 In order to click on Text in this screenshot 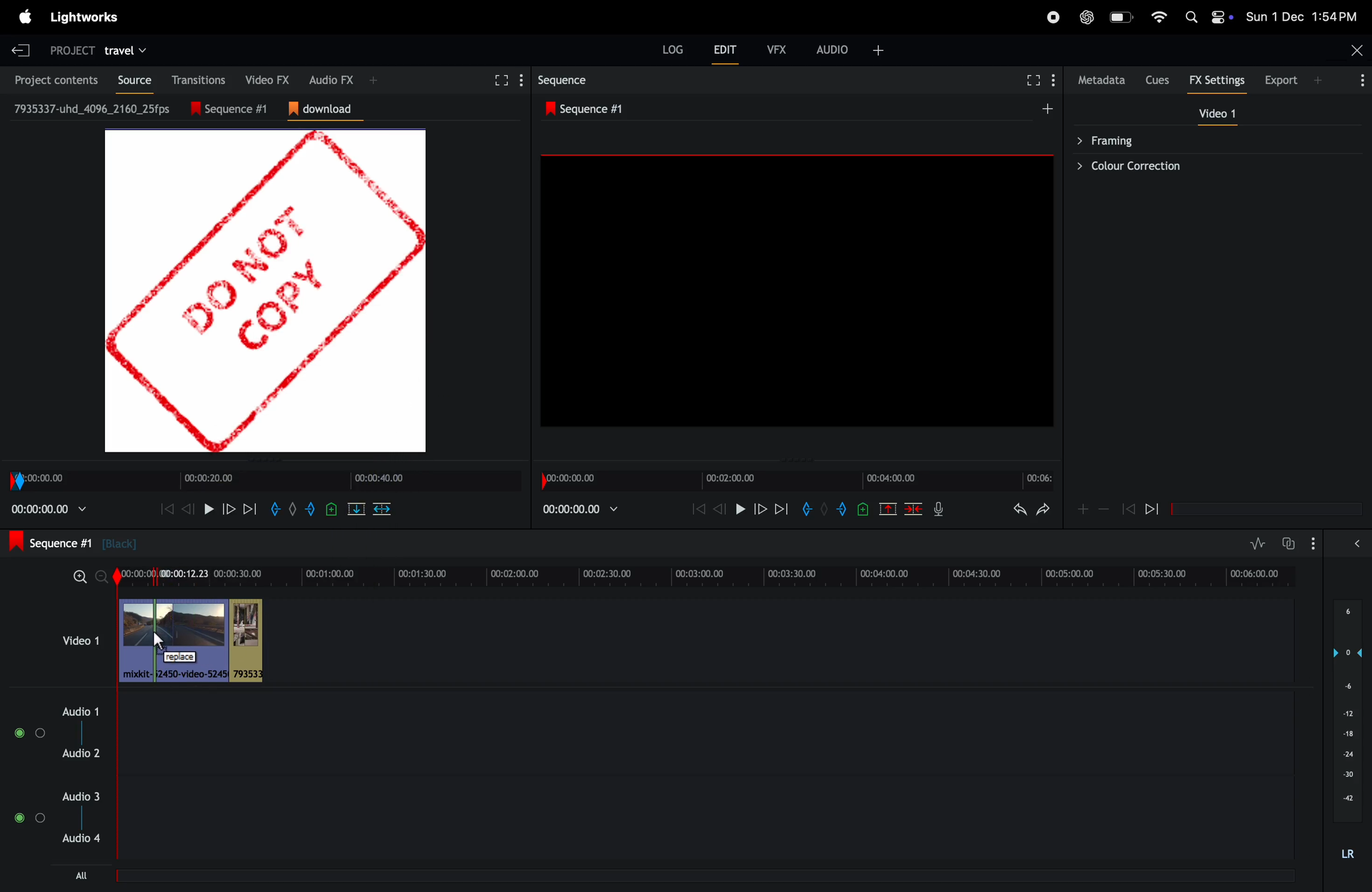, I will do `click(1348, 855)`.